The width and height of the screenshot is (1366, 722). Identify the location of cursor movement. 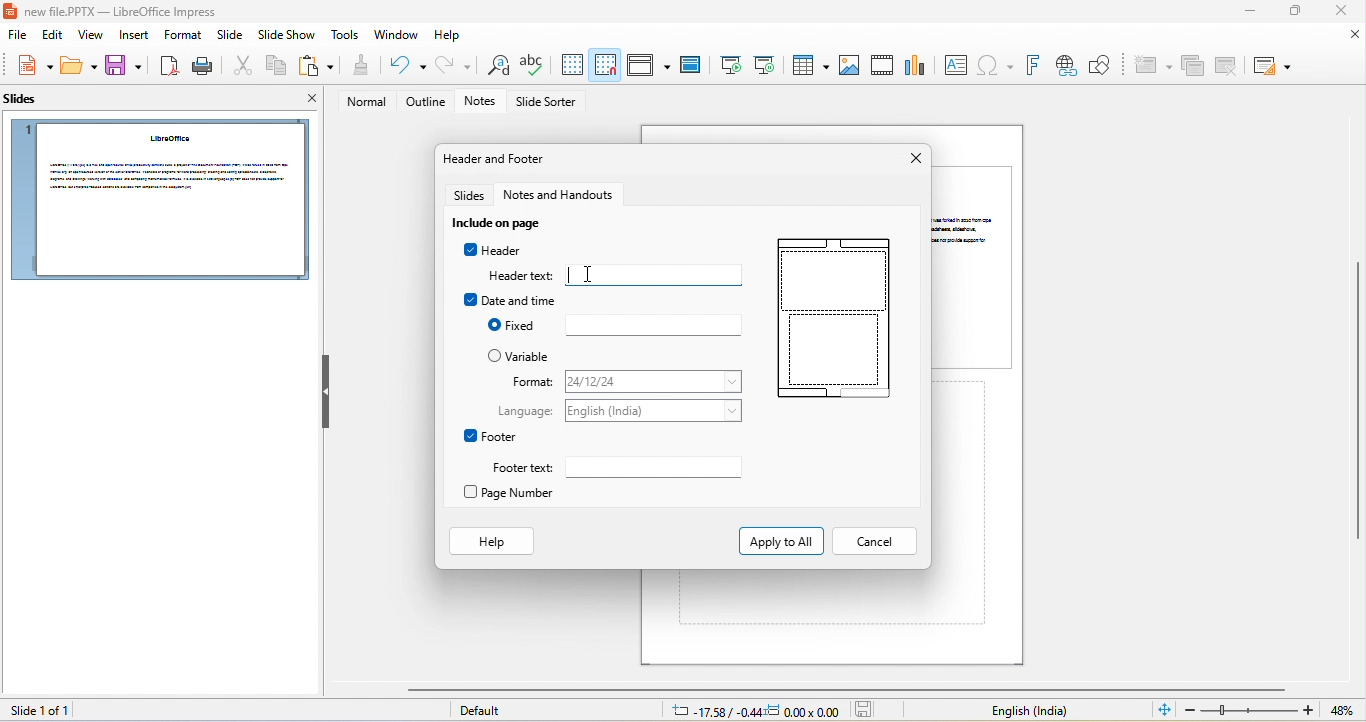
(588, 275).